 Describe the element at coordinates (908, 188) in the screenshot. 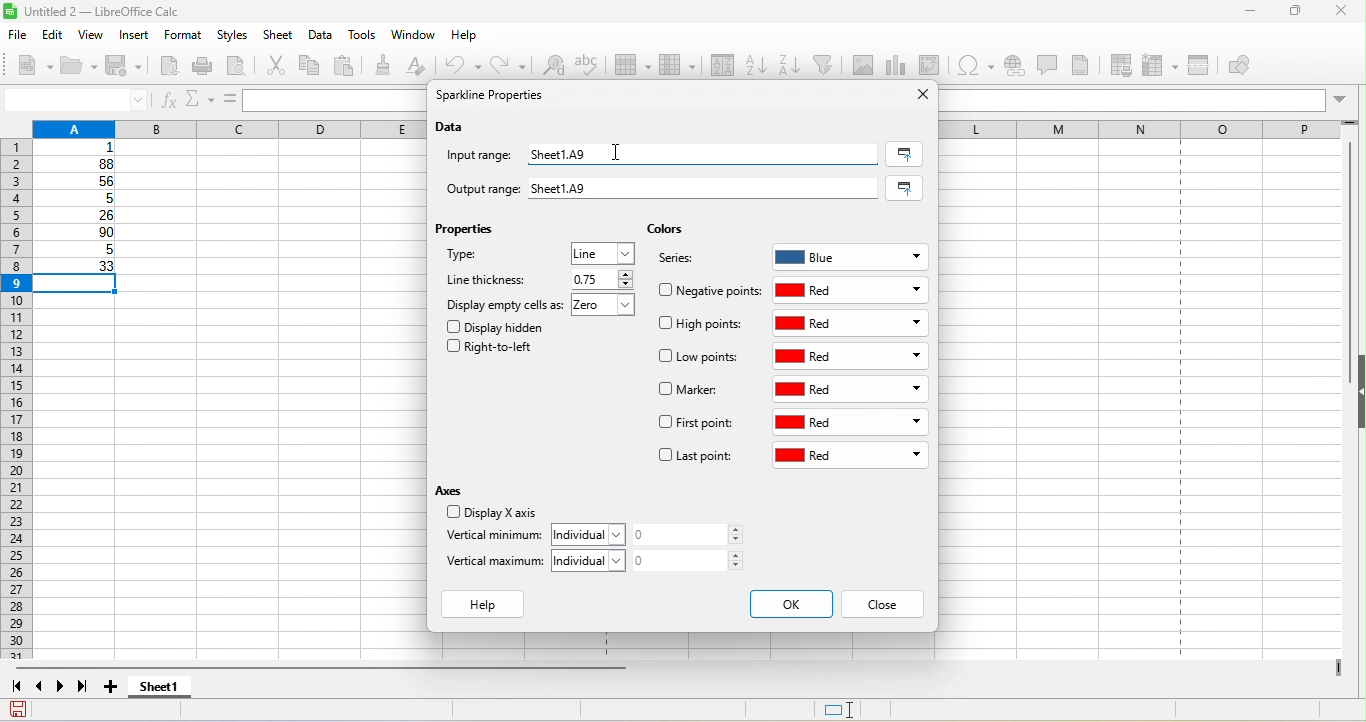

I see `selected range` at that location.